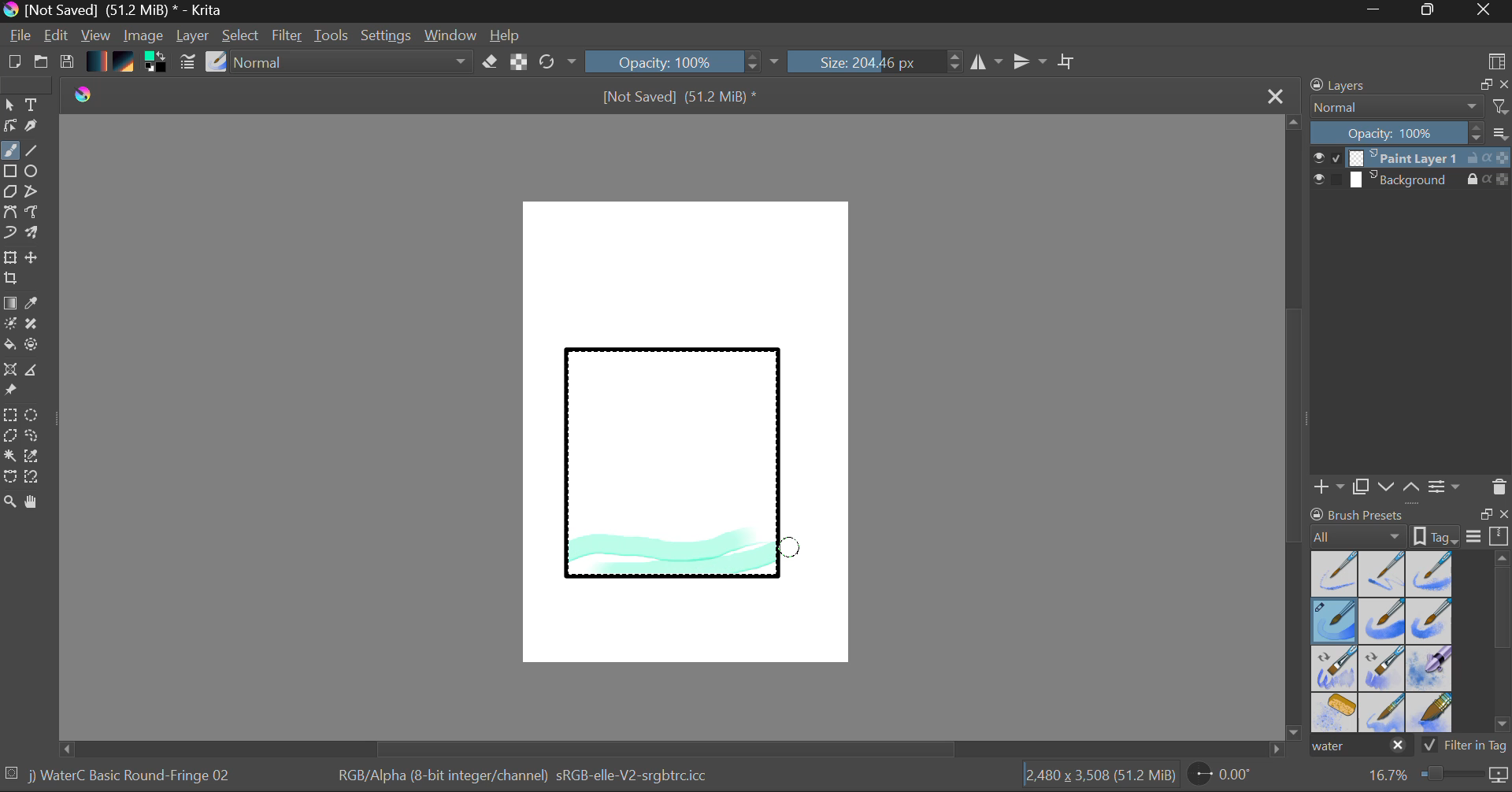 This screenshot has height=792, width=1512. I want to click on Calligraphic Tool, so click(37, 129).